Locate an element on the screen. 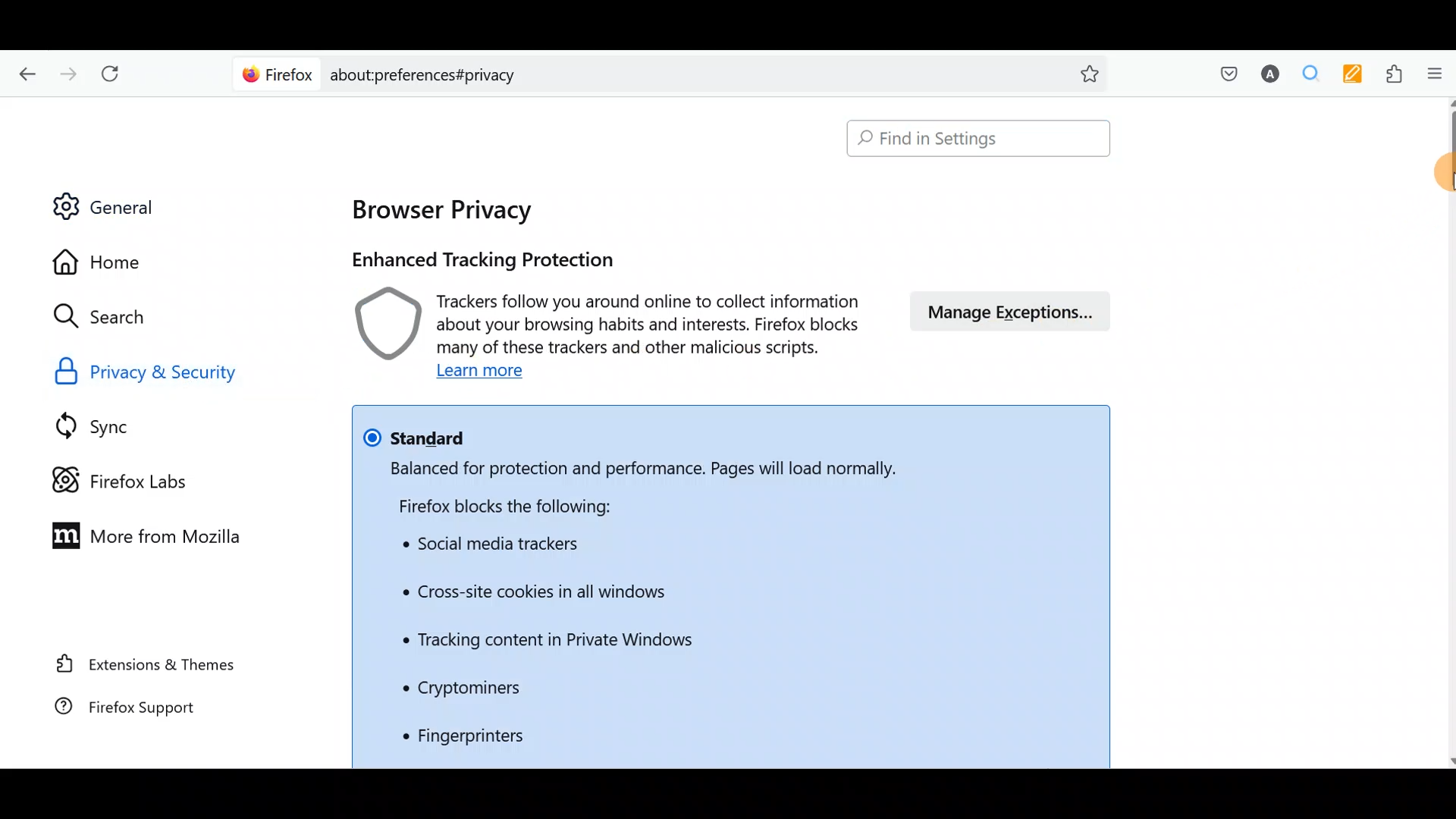 The image size is (1456, 819). Firefox labs is located at coordinates (133, 479).